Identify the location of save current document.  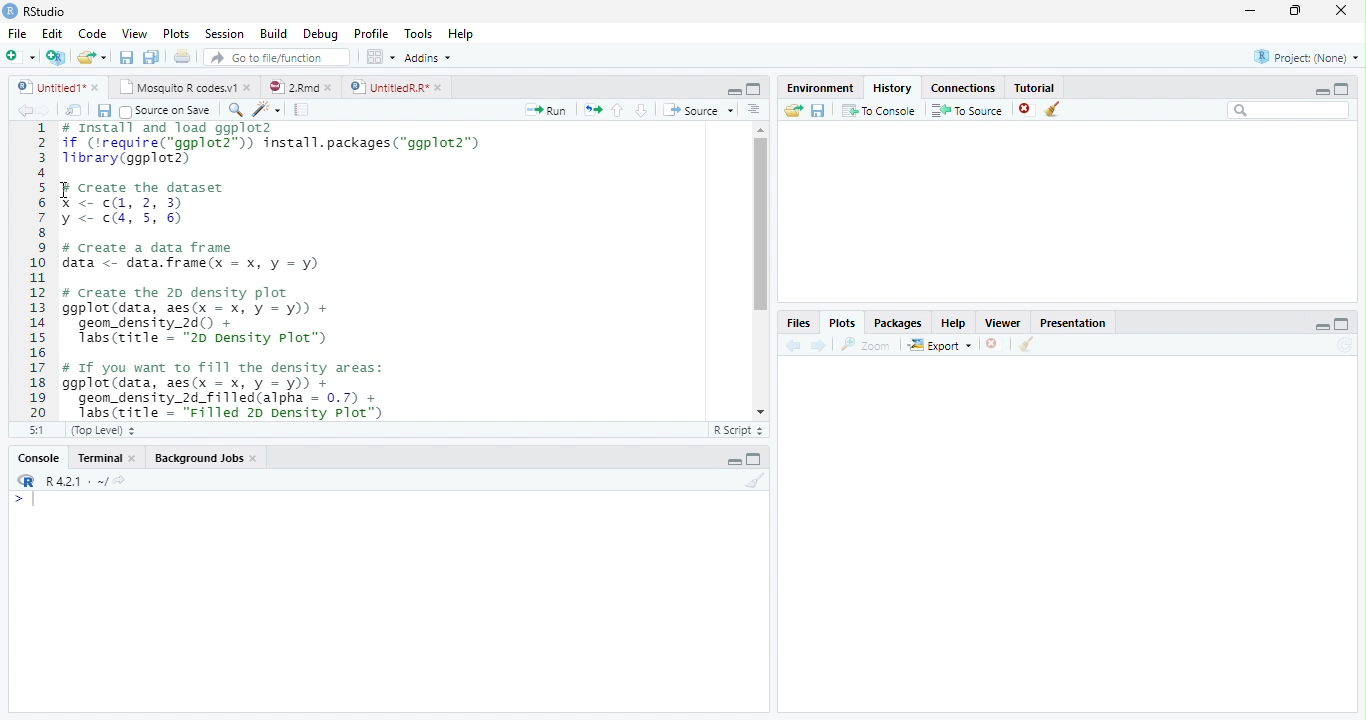
(125, 57).